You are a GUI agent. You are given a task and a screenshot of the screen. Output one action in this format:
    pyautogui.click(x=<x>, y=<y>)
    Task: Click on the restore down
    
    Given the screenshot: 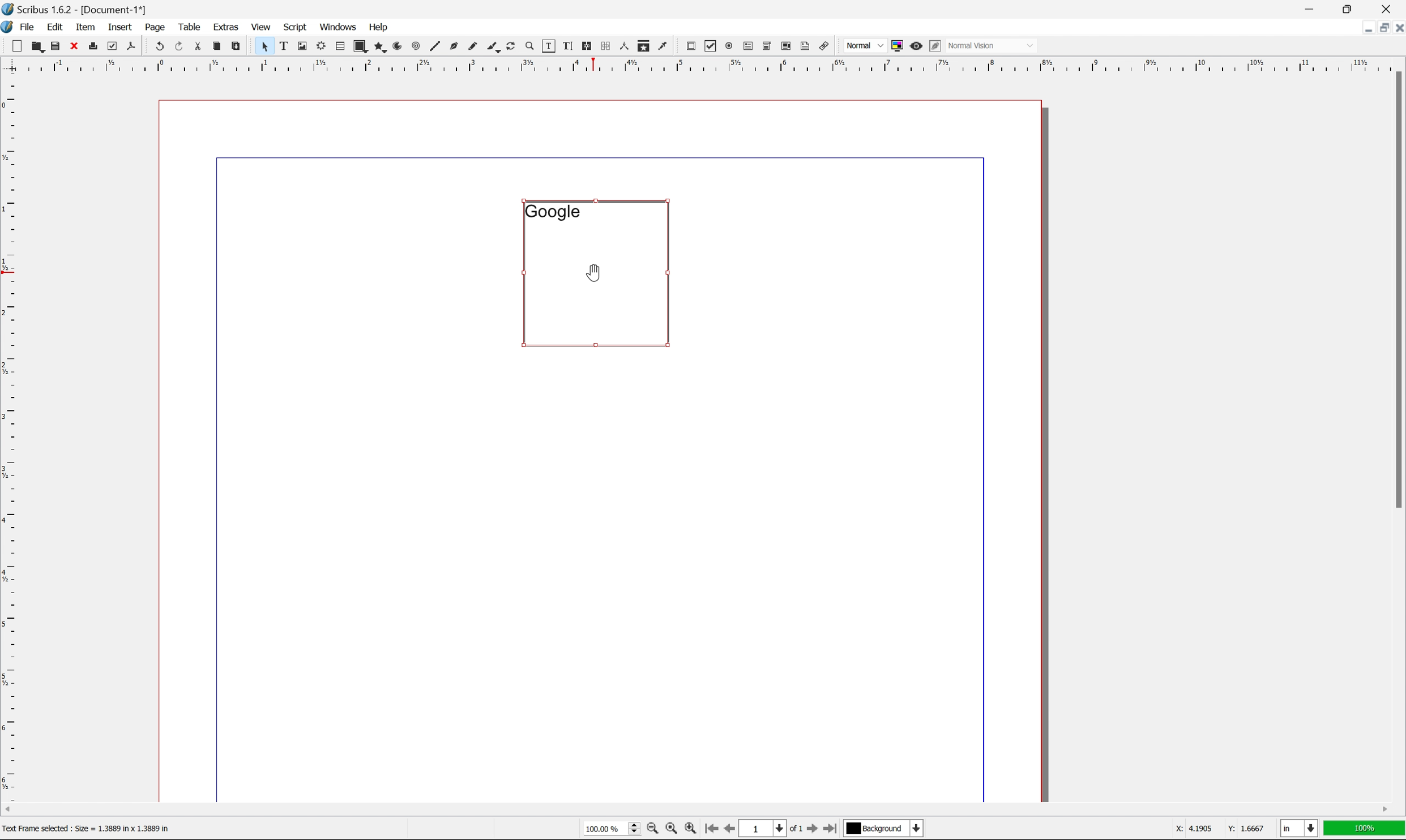 What is the action you would take?
    pyautogui.click(x=1379, y=28)
    